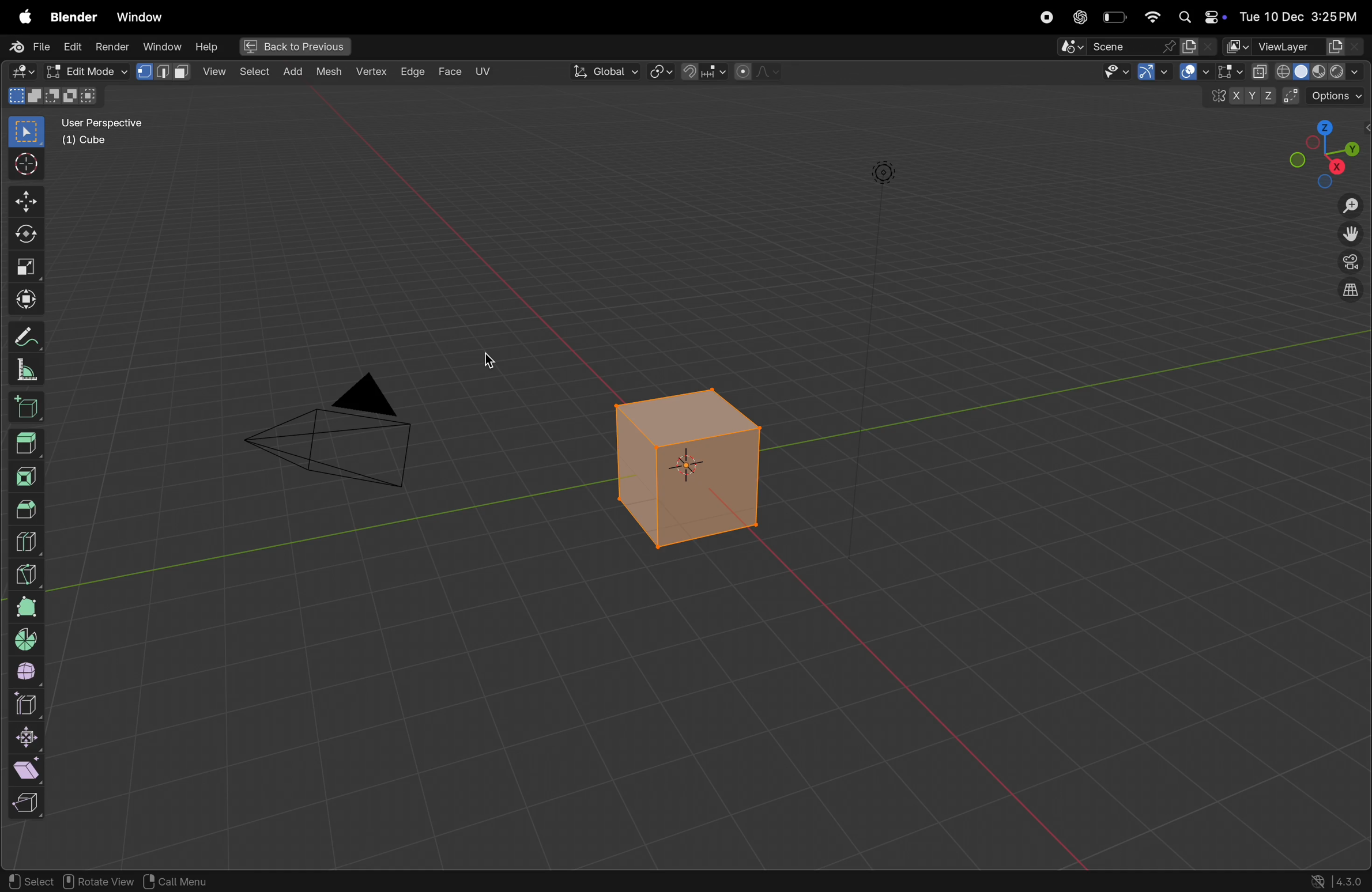 This screenshot has height=892, width=1372. Describe the element at coordinates (19, 17) in the screenshot. I see `Apple menu` at that location.